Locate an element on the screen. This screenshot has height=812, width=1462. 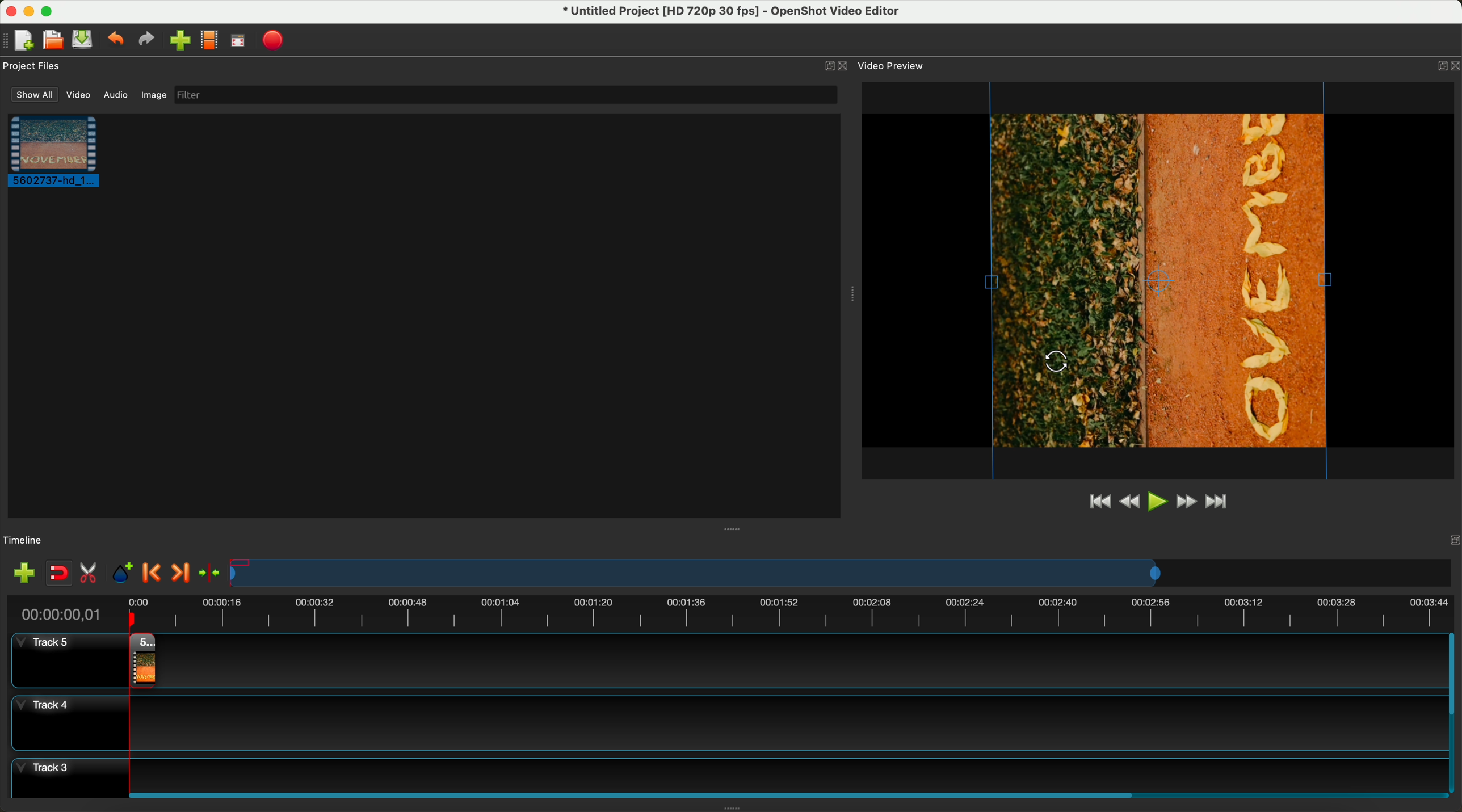
undo is located at coordinates (116, 40).